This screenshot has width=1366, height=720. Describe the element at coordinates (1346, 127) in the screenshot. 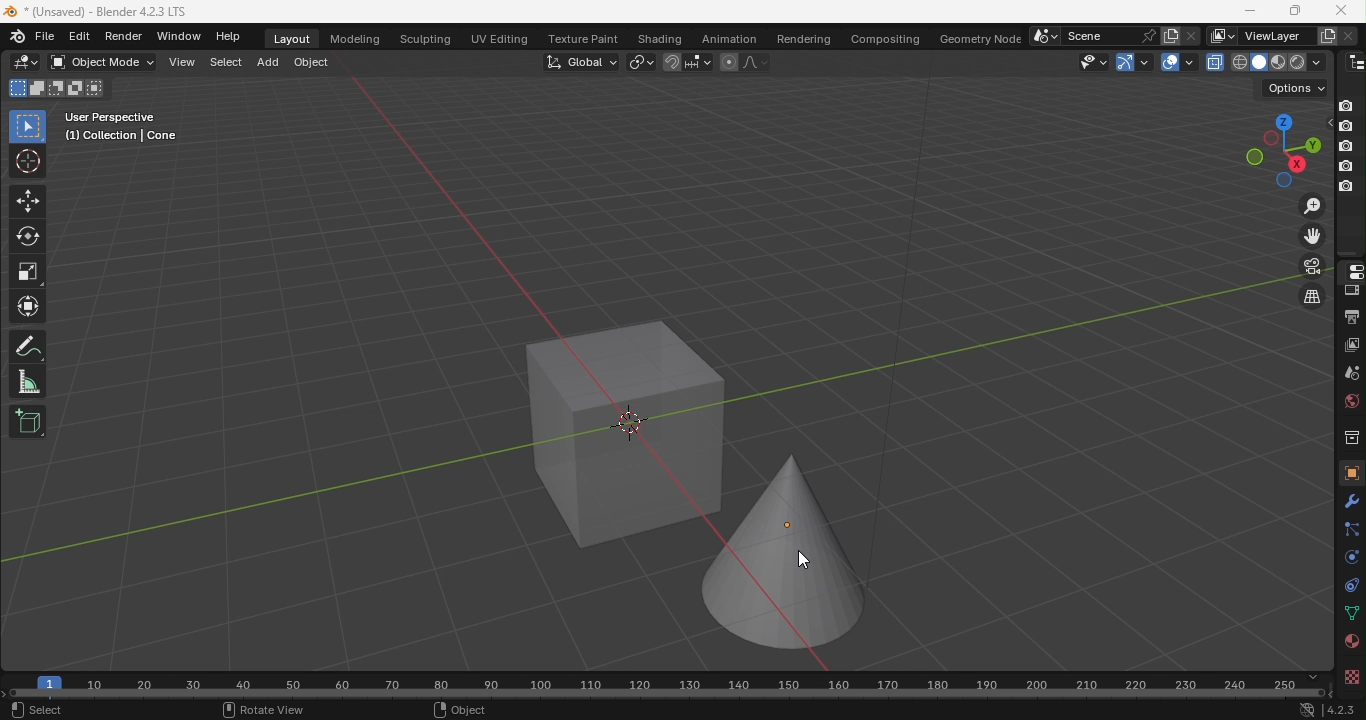

I see `disable in renders` at that location.